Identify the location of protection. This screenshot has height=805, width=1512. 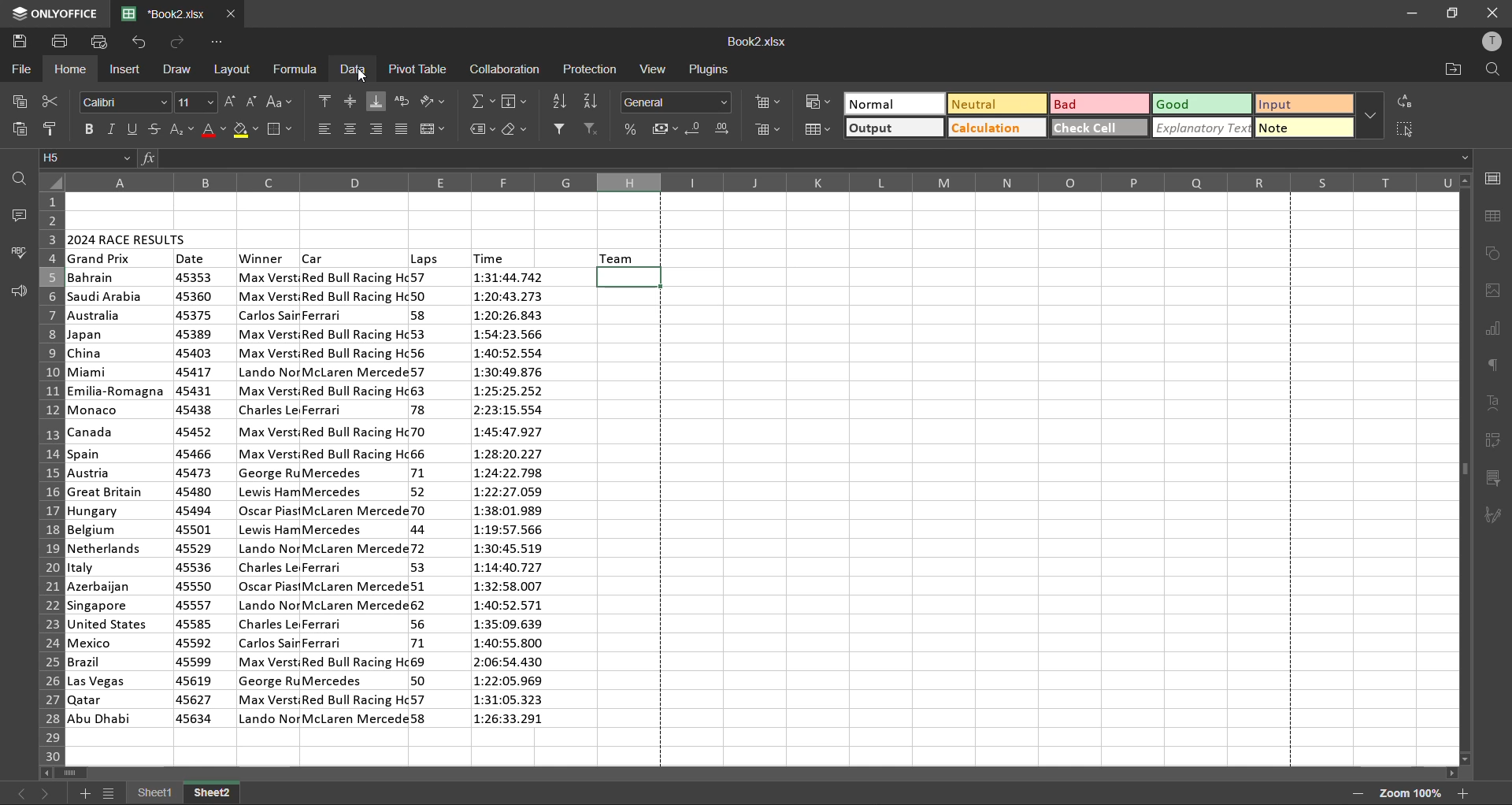
(591, 70).